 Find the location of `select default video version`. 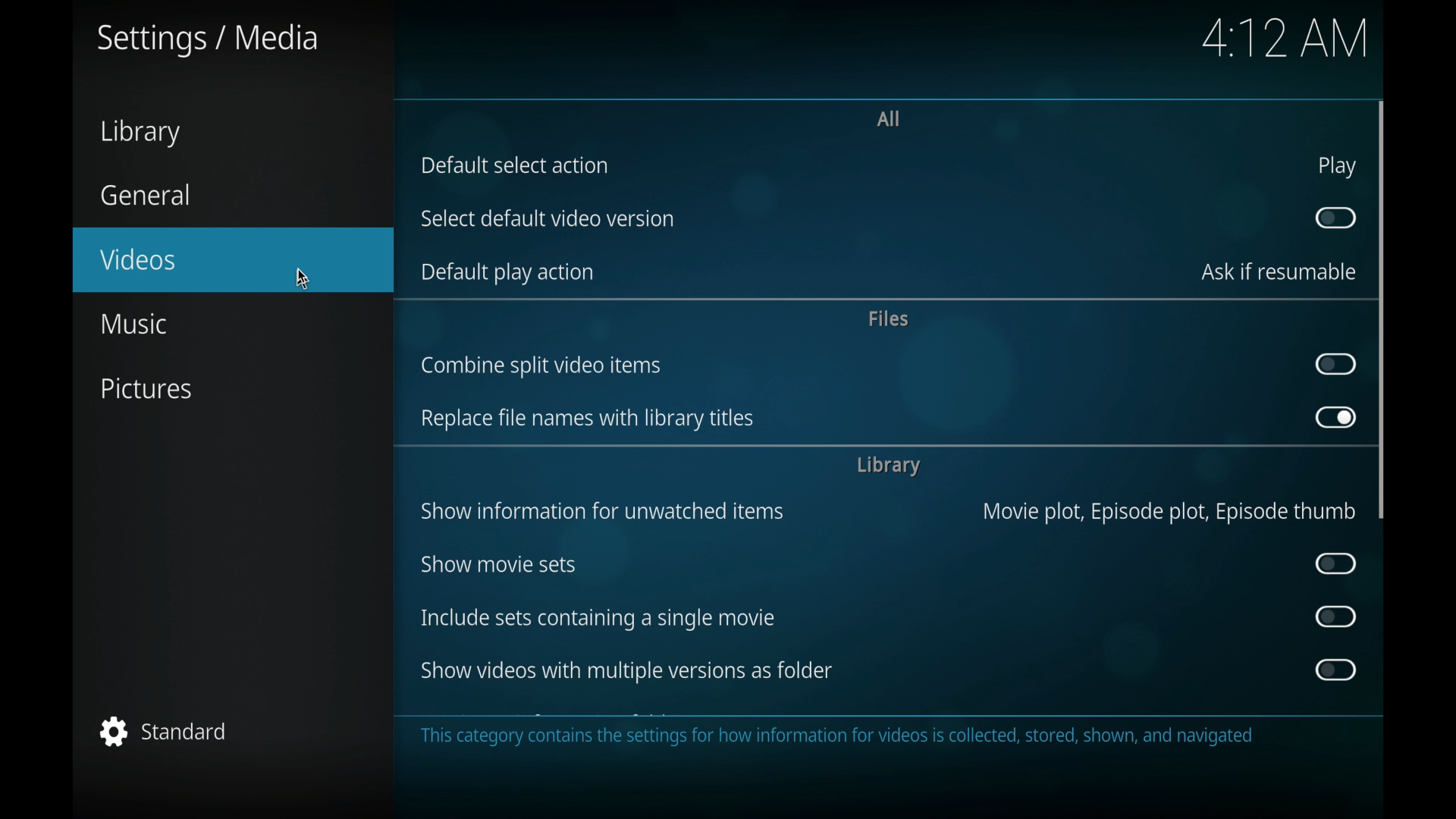

select default video version is located at coordinates (547, 218).